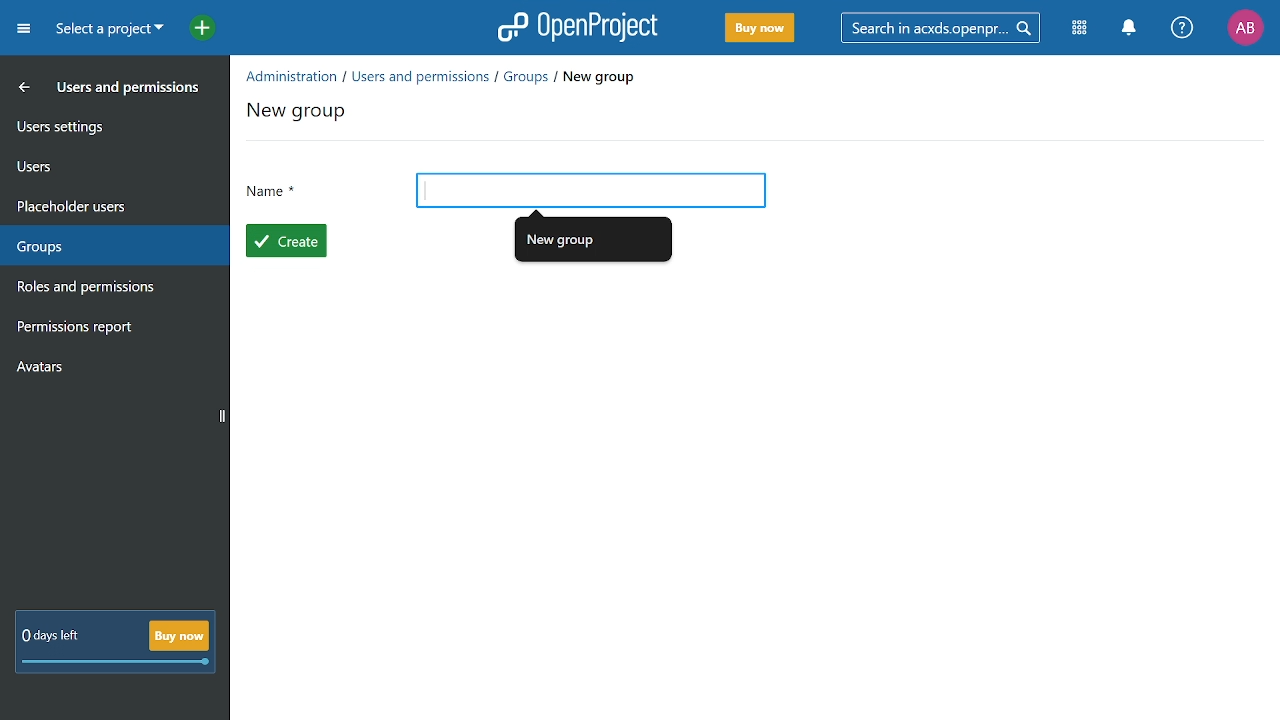  I want to click on Buy now, so click(178, 635).